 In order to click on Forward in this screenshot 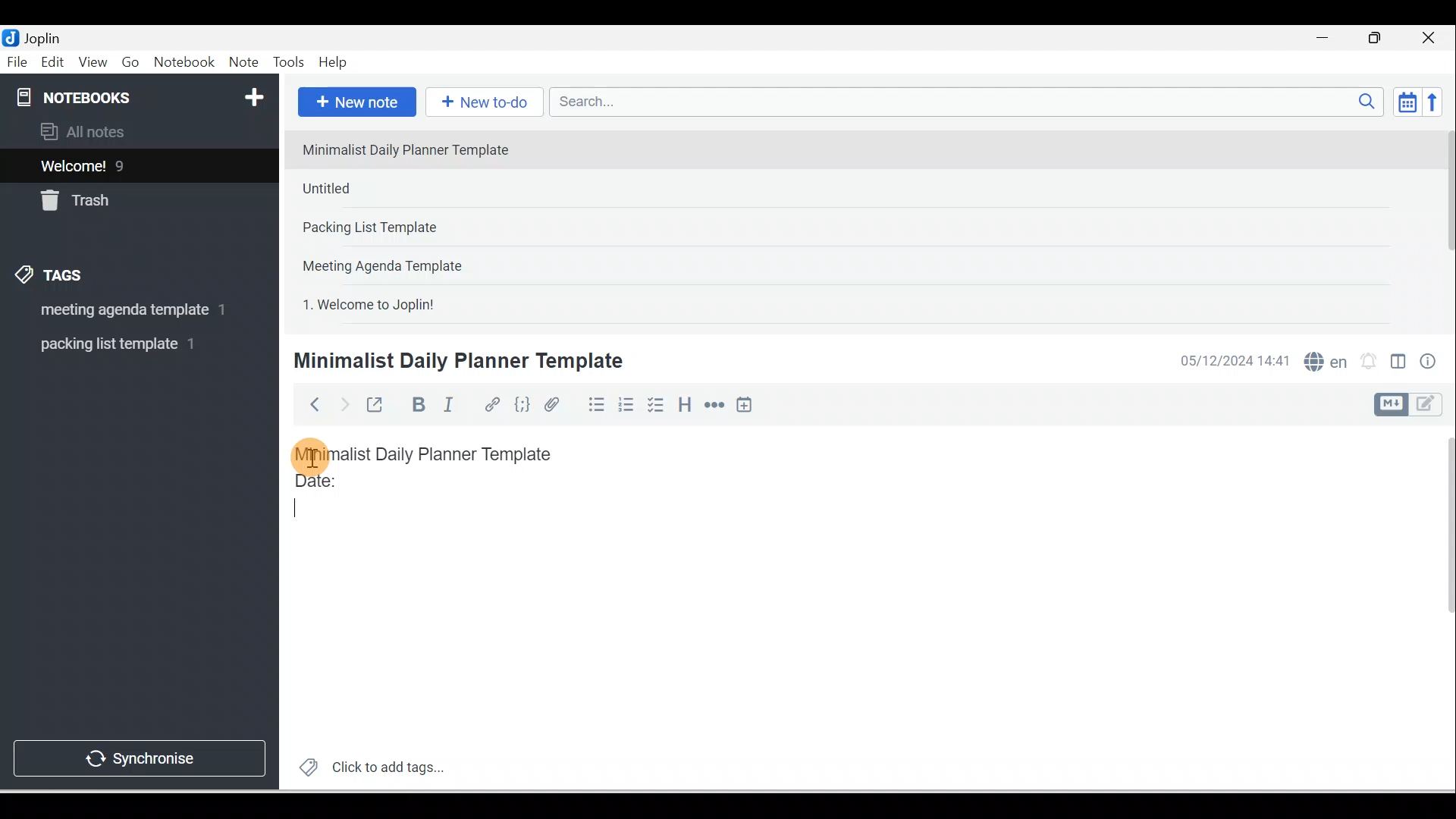, I will do `click(343, 403)`.